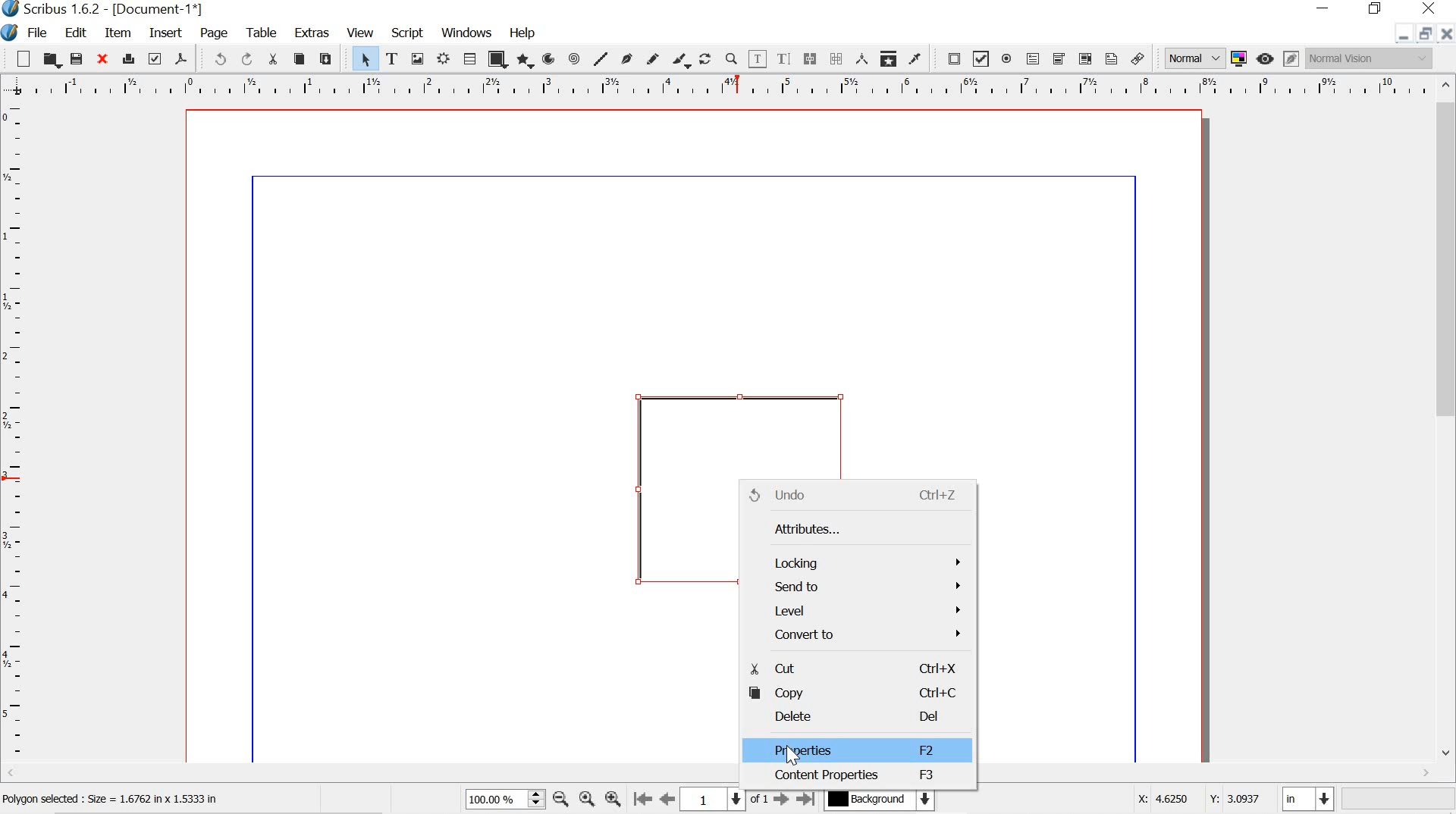 This screenshot has height=814, width=1456. Describe the element at coordinates (101, 58) in the screenshot. I see `close` at that location.